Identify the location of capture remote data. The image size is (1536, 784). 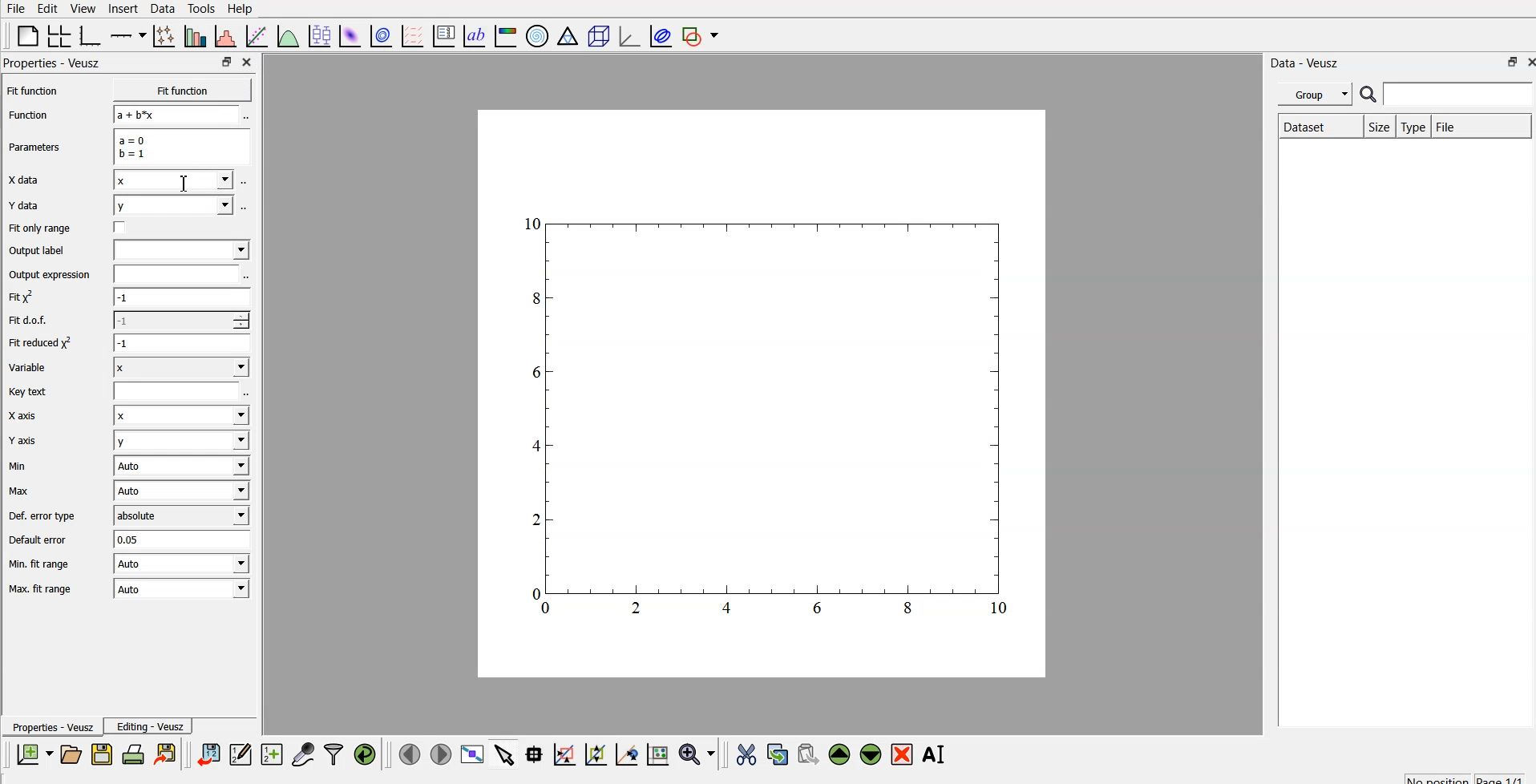
(305, 755).